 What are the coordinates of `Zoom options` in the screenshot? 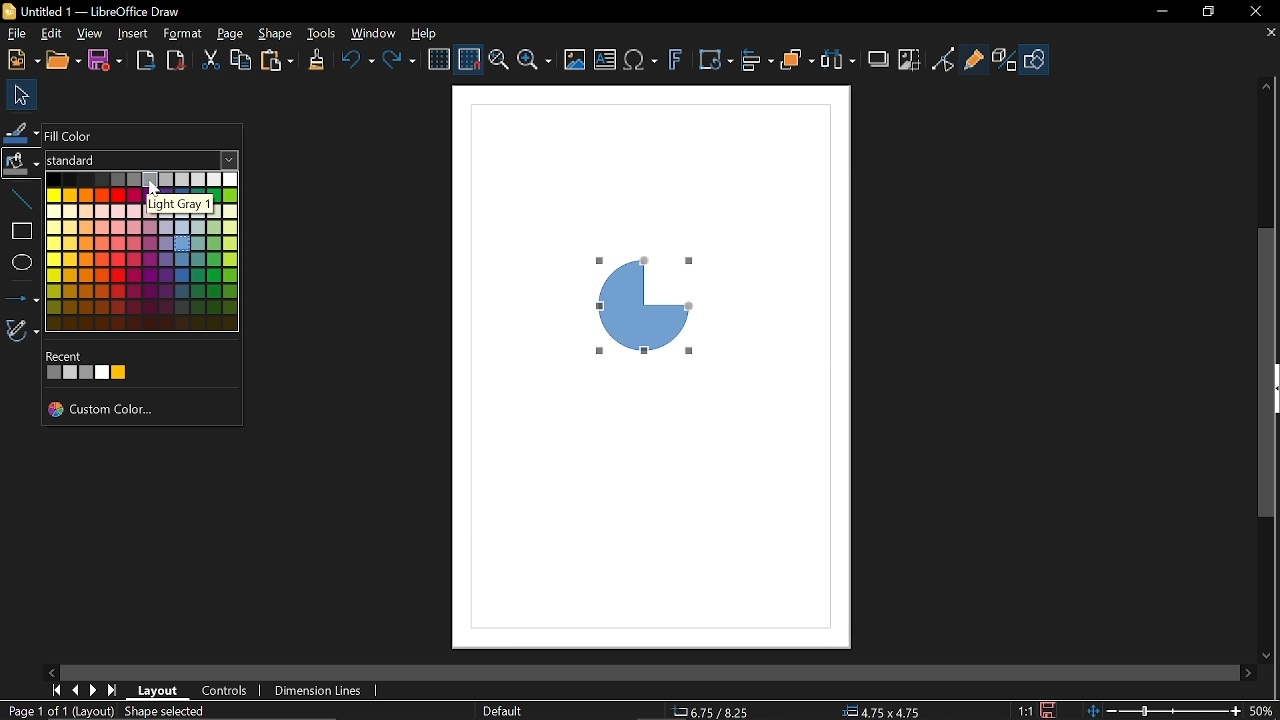 It's located at (534, 60).